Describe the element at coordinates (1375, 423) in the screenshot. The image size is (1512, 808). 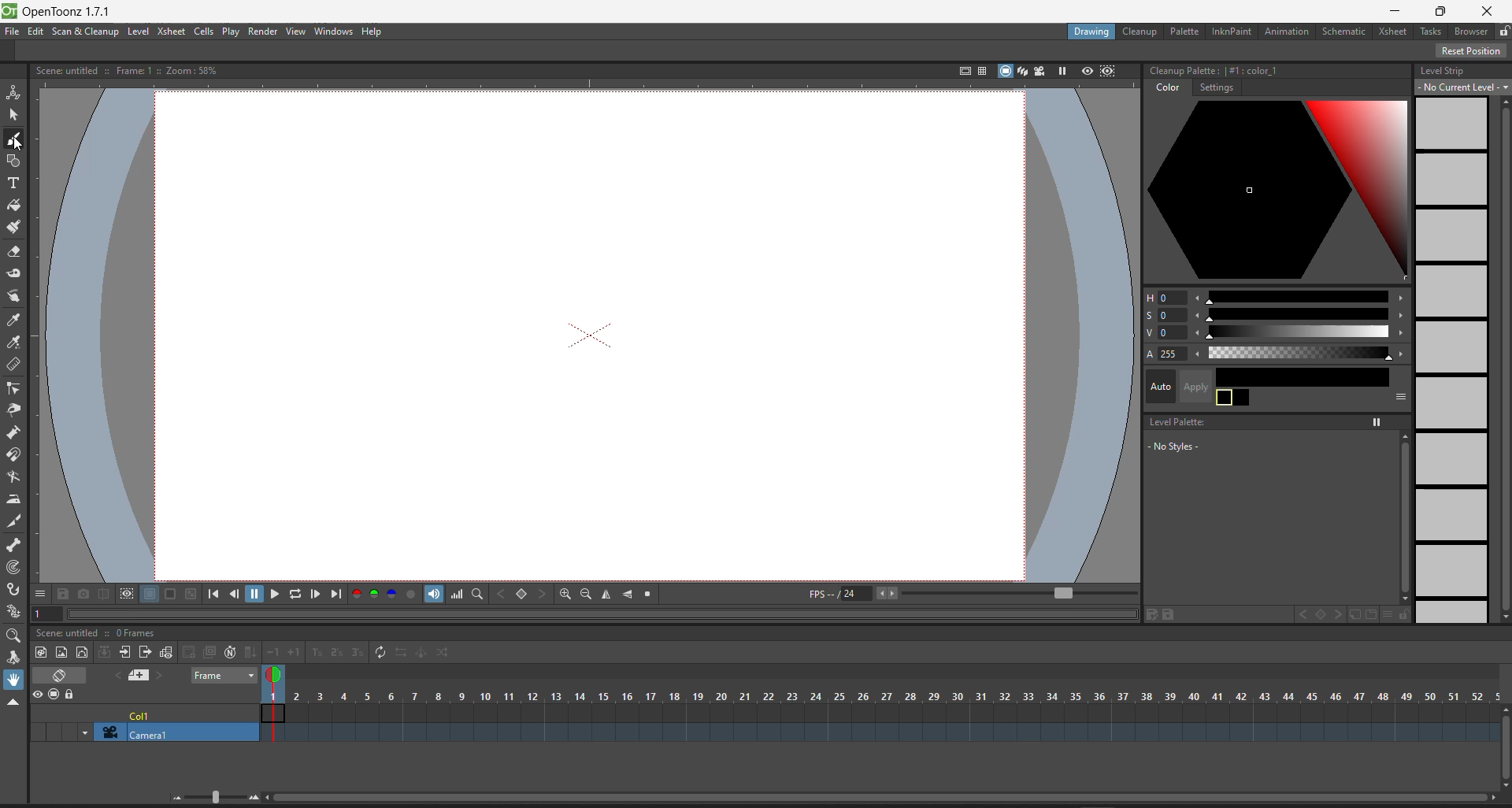
I see `freeze` at that location.